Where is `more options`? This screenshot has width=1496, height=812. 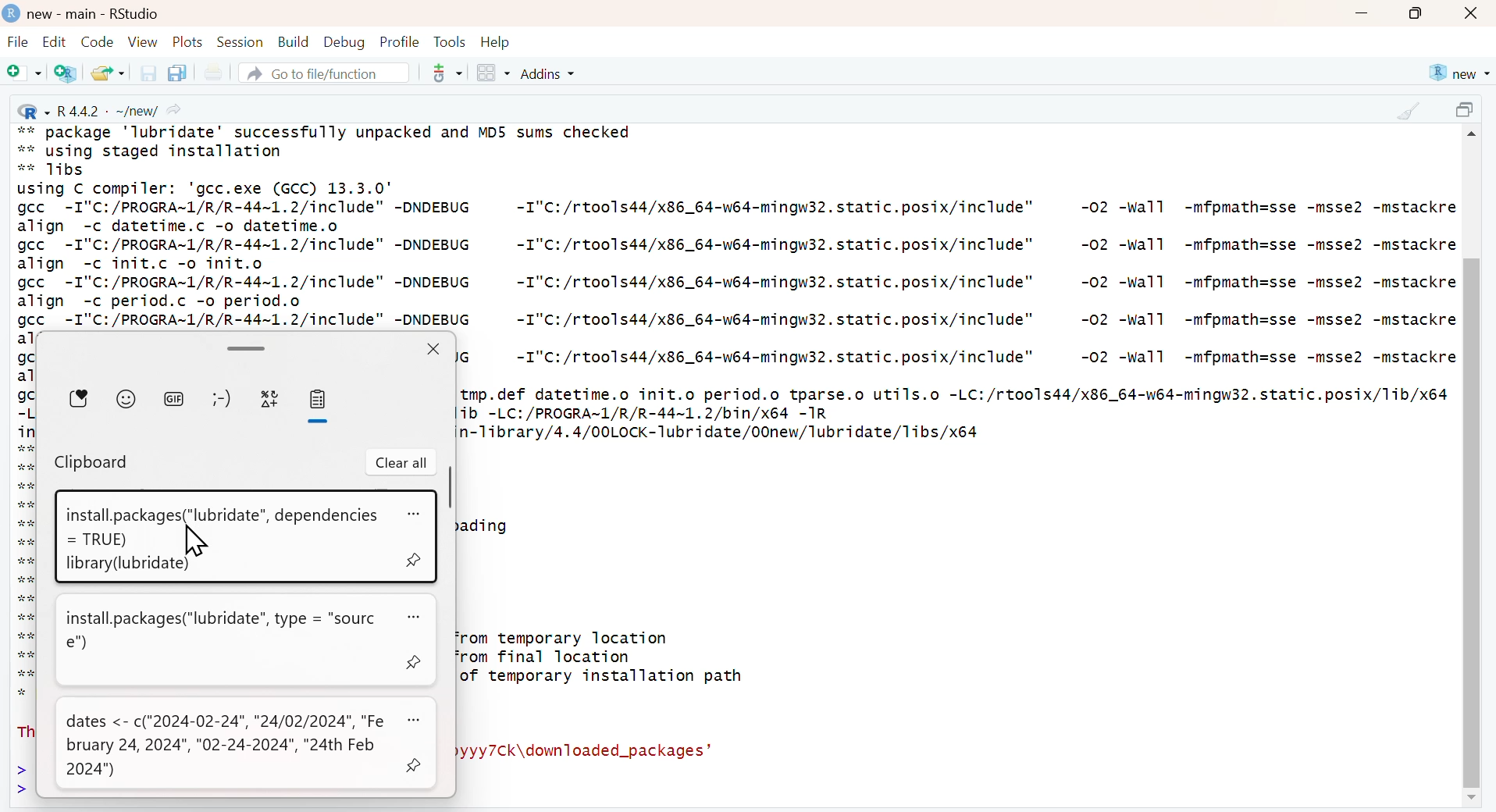
more options is located at coordinates (420, 618).